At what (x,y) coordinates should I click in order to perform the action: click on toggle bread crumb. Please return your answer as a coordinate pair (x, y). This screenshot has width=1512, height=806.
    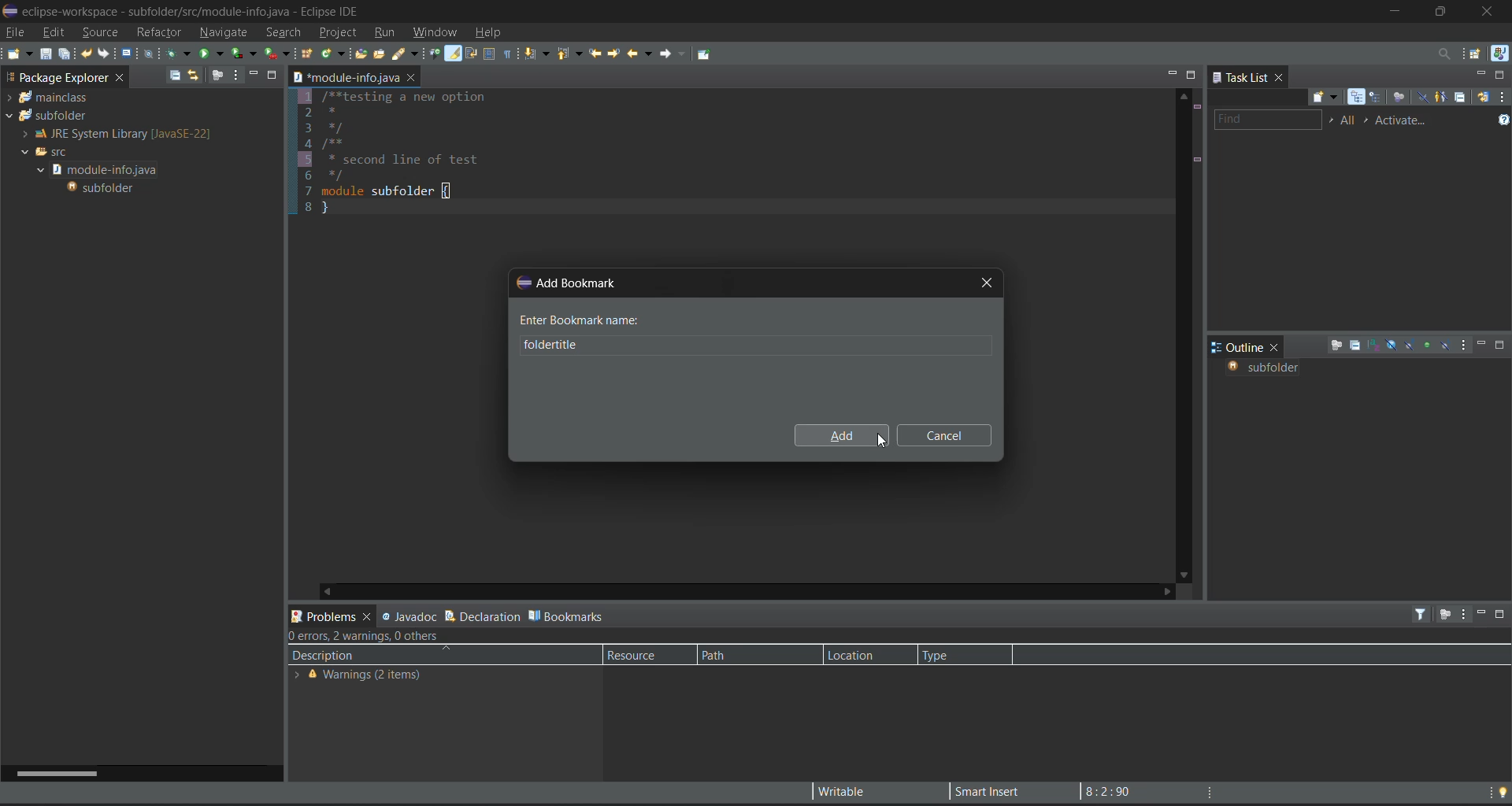
    Looking at the image, I should click on (435, 54).